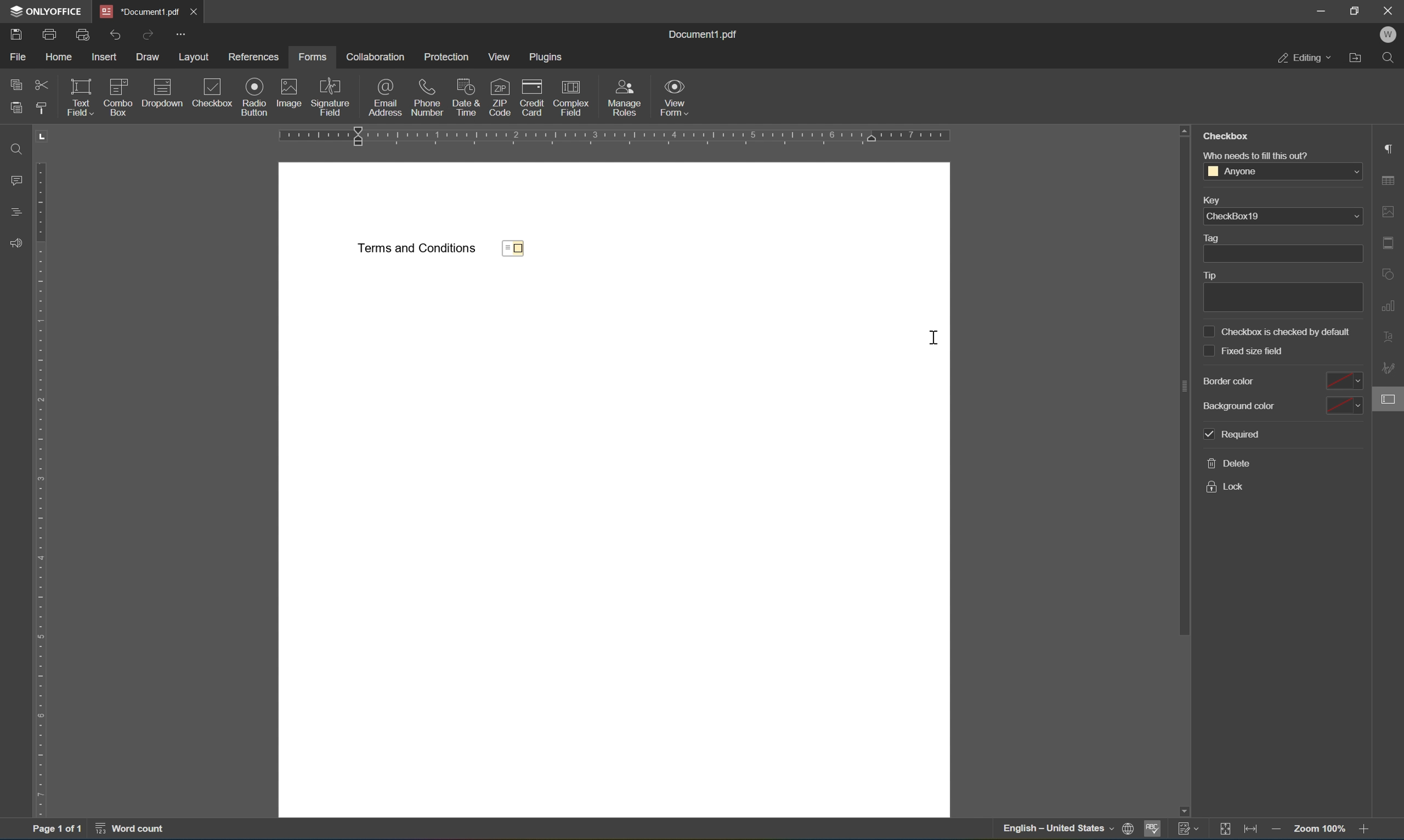 This screenshot has width=1404, height=840. What do you see at coordinates (1386, 336) in the screenshot?
I see `text art settings` at bounding box center [1386, 336].